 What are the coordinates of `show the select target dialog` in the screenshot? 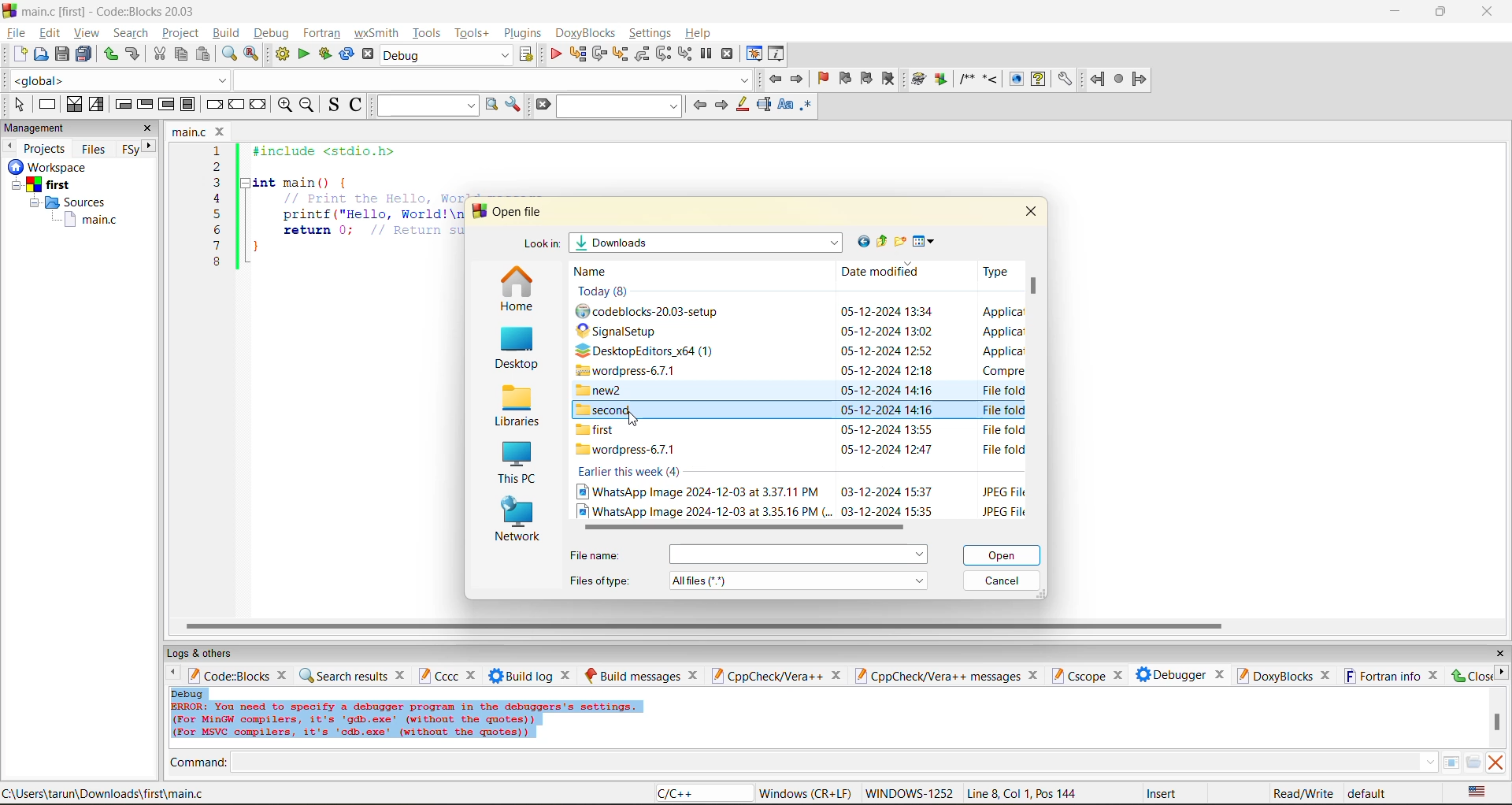 It's located at (528, 54).